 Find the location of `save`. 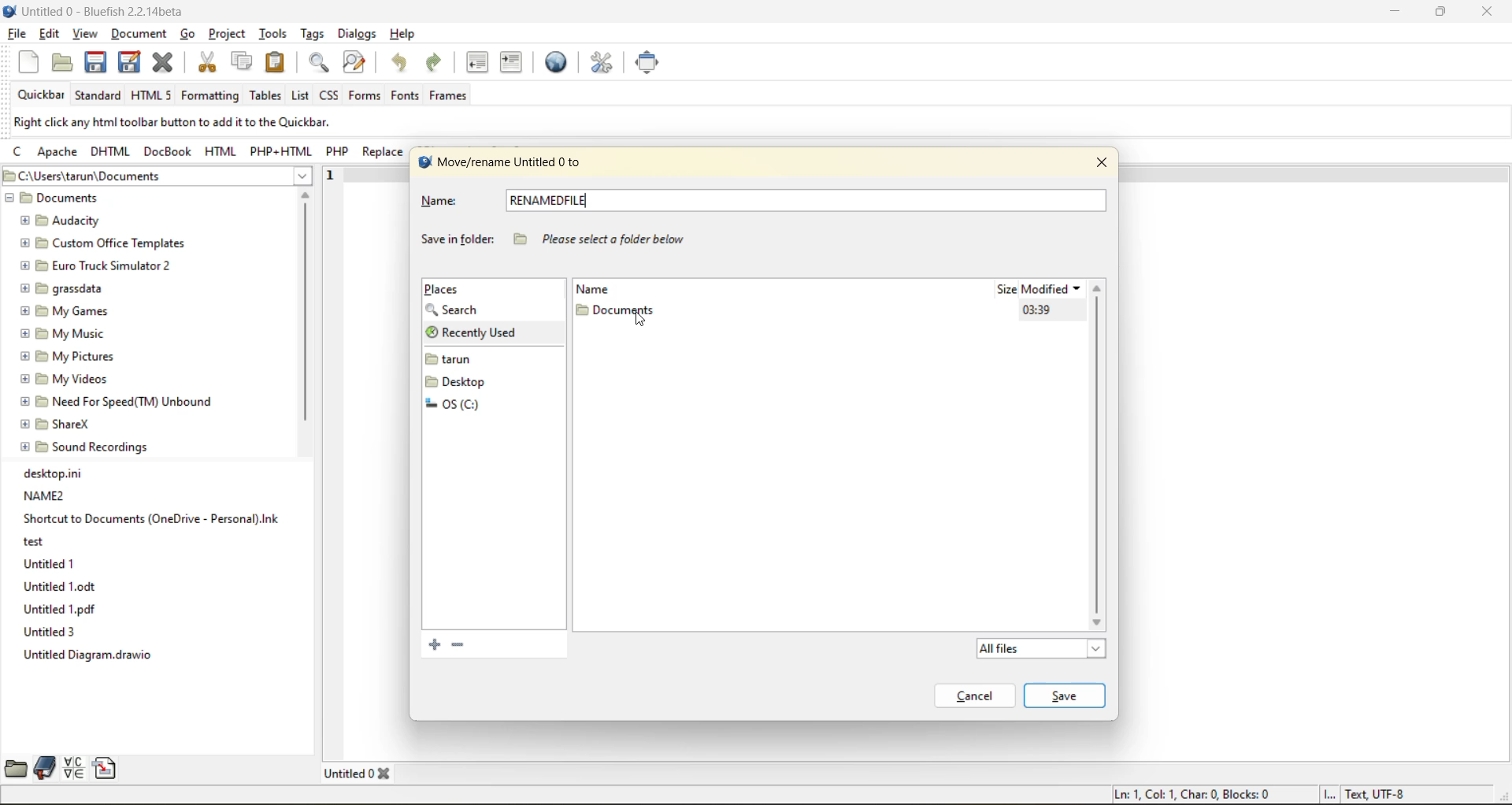

save is located at coordinates (1066, 696).